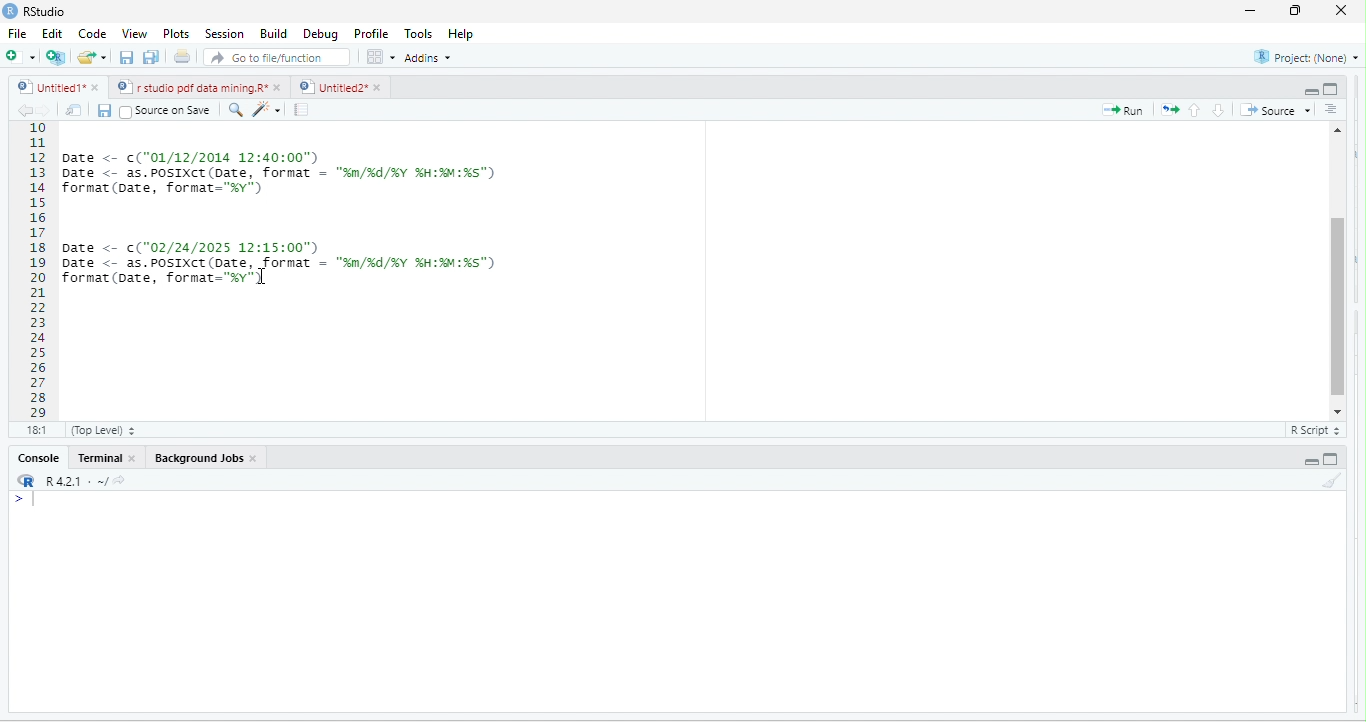  I want to click on show in new window, so click(76, 110).